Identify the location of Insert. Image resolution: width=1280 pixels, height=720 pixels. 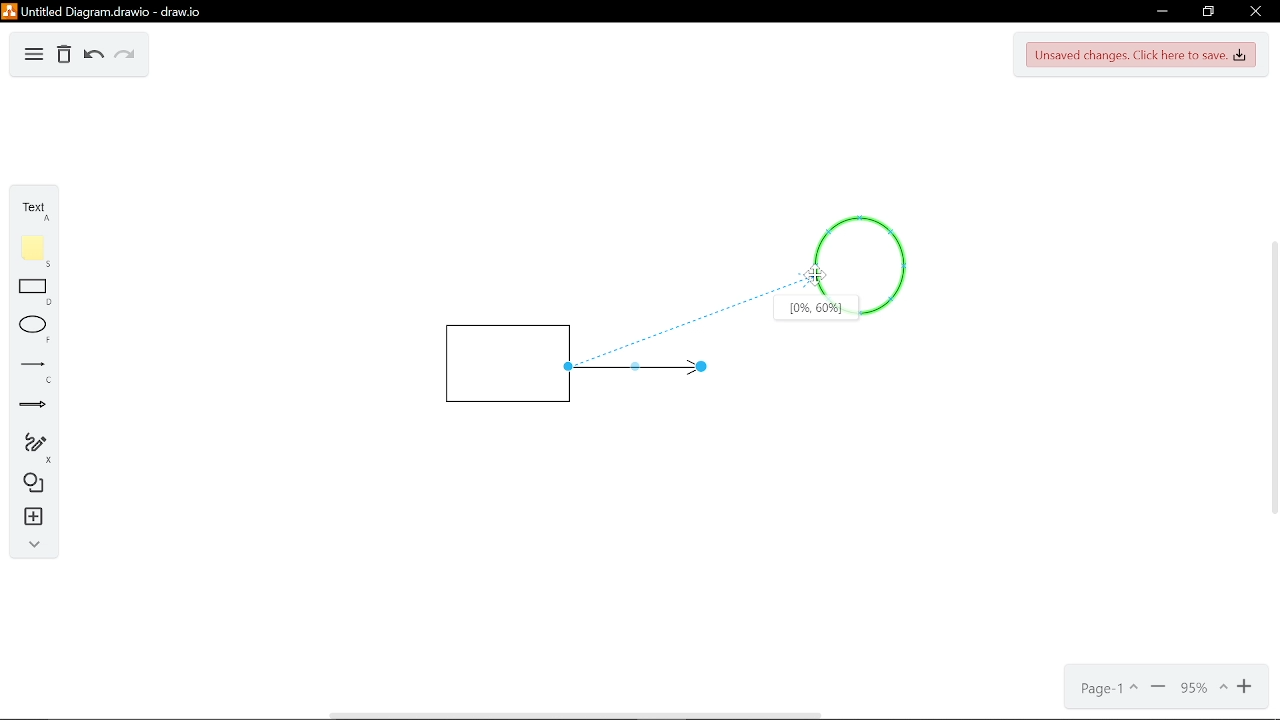
(29, 517).